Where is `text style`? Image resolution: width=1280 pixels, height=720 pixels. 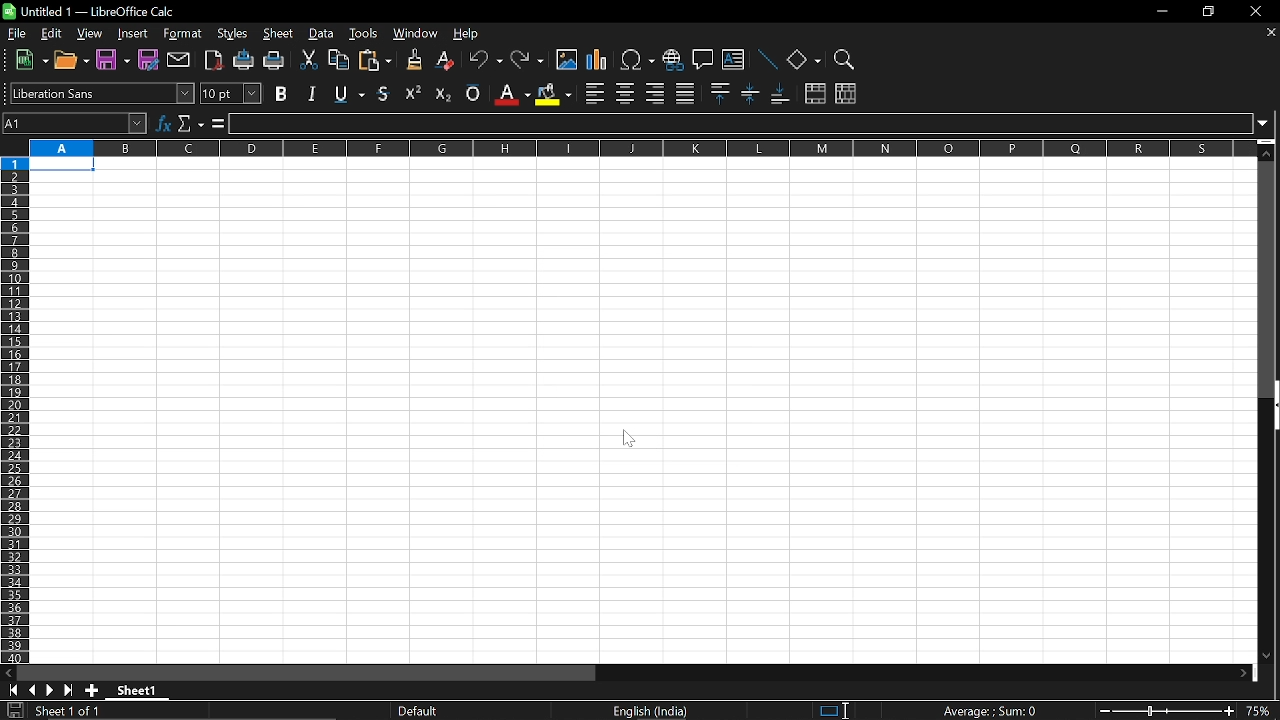
text style is located at coordinates (102, 93).